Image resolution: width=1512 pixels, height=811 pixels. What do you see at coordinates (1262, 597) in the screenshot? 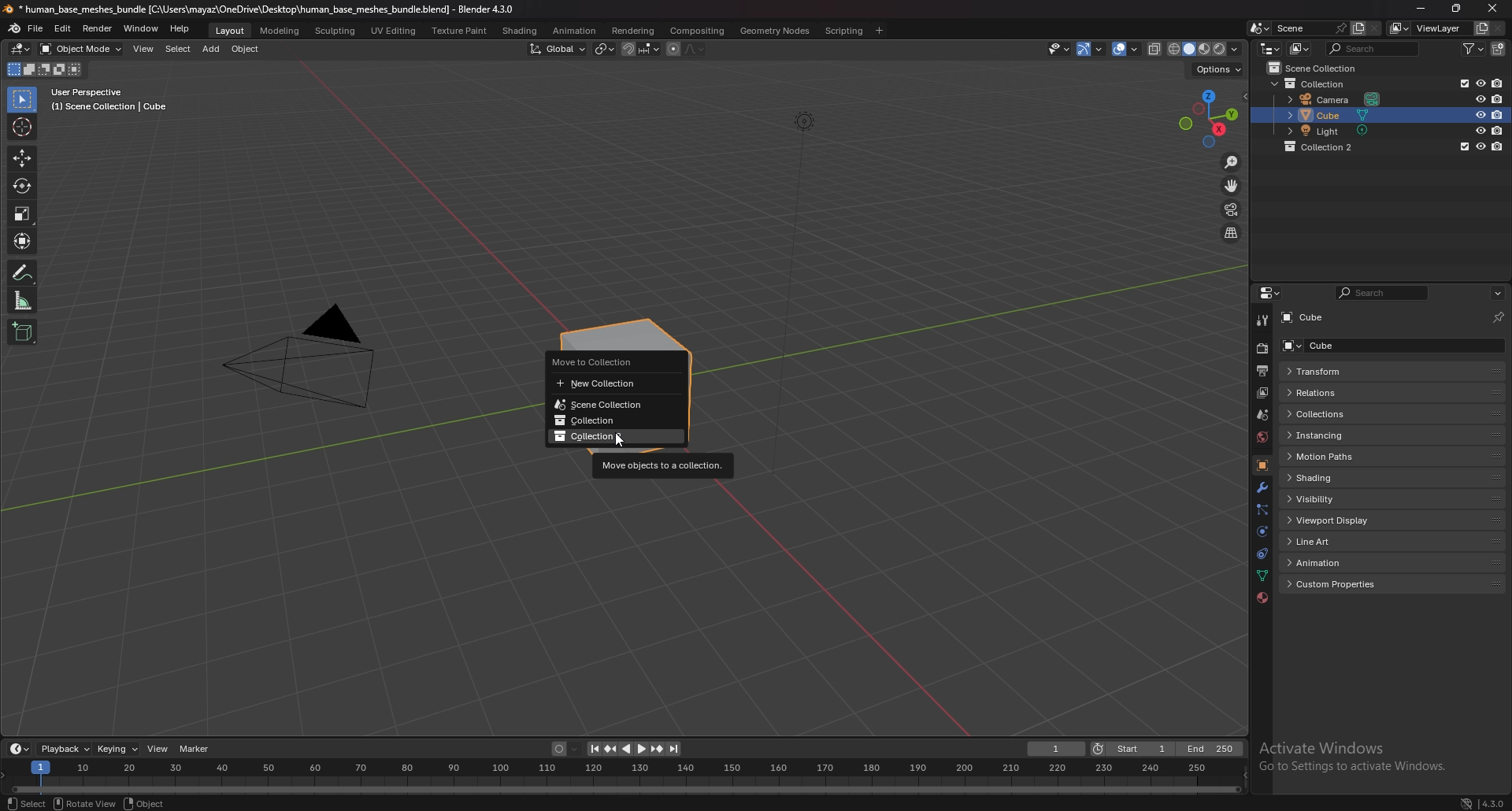
I see `material` at bounding box center [1262, 597].